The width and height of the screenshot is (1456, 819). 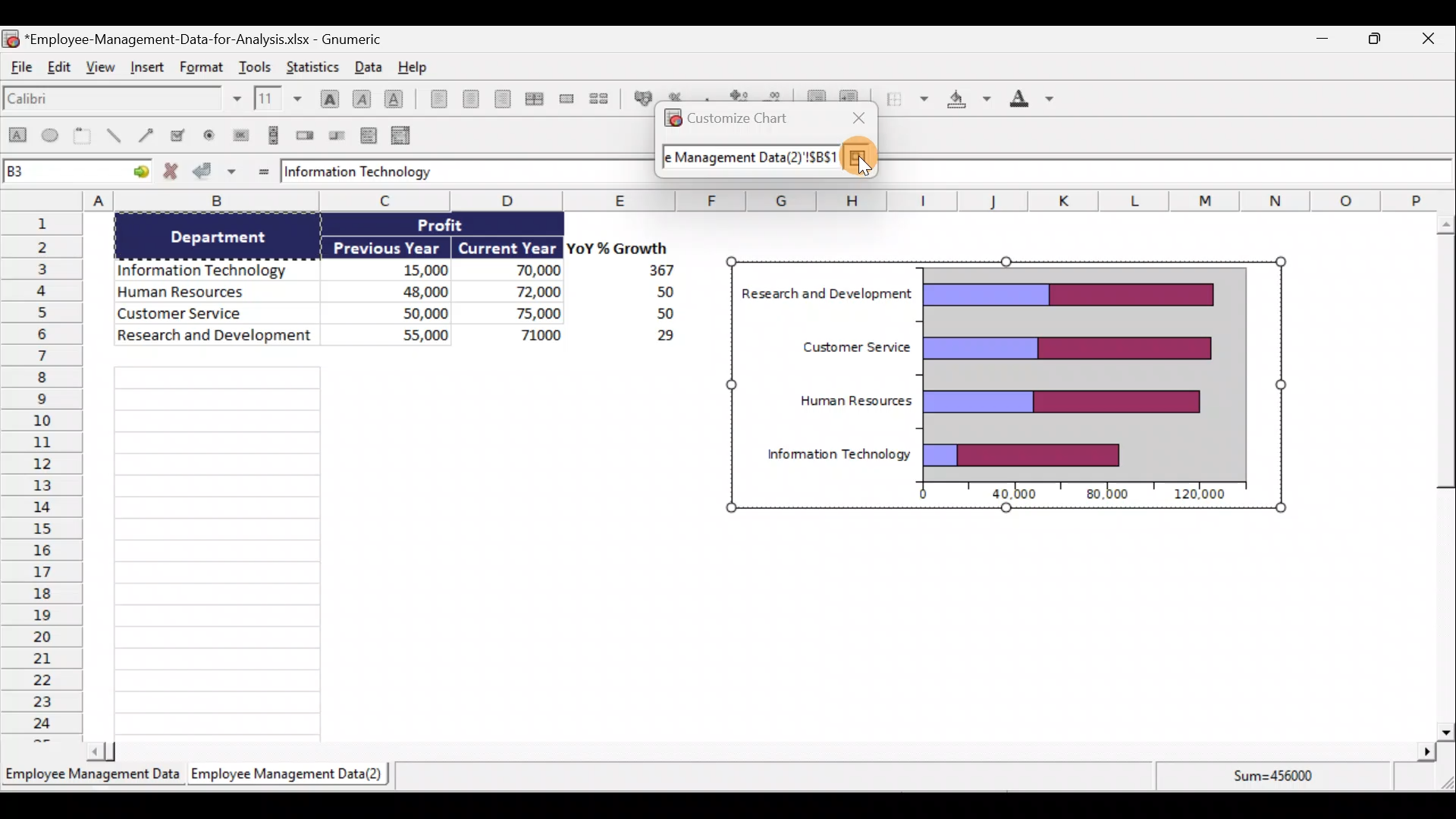 I want to click on Cell range selector, so click(x=860, y=158).